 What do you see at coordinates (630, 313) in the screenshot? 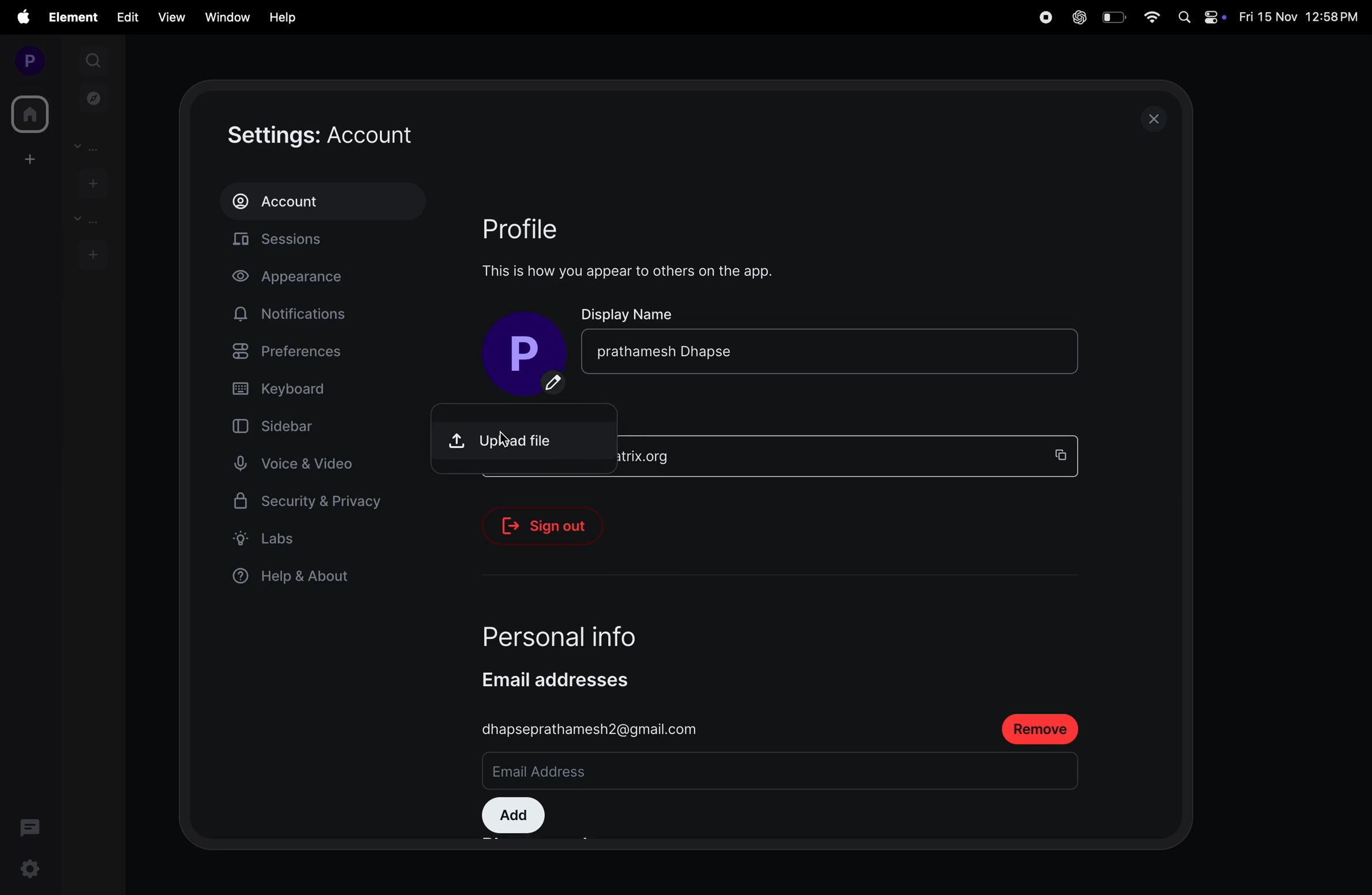
I see `Display name` at bounding box center [630, 313].